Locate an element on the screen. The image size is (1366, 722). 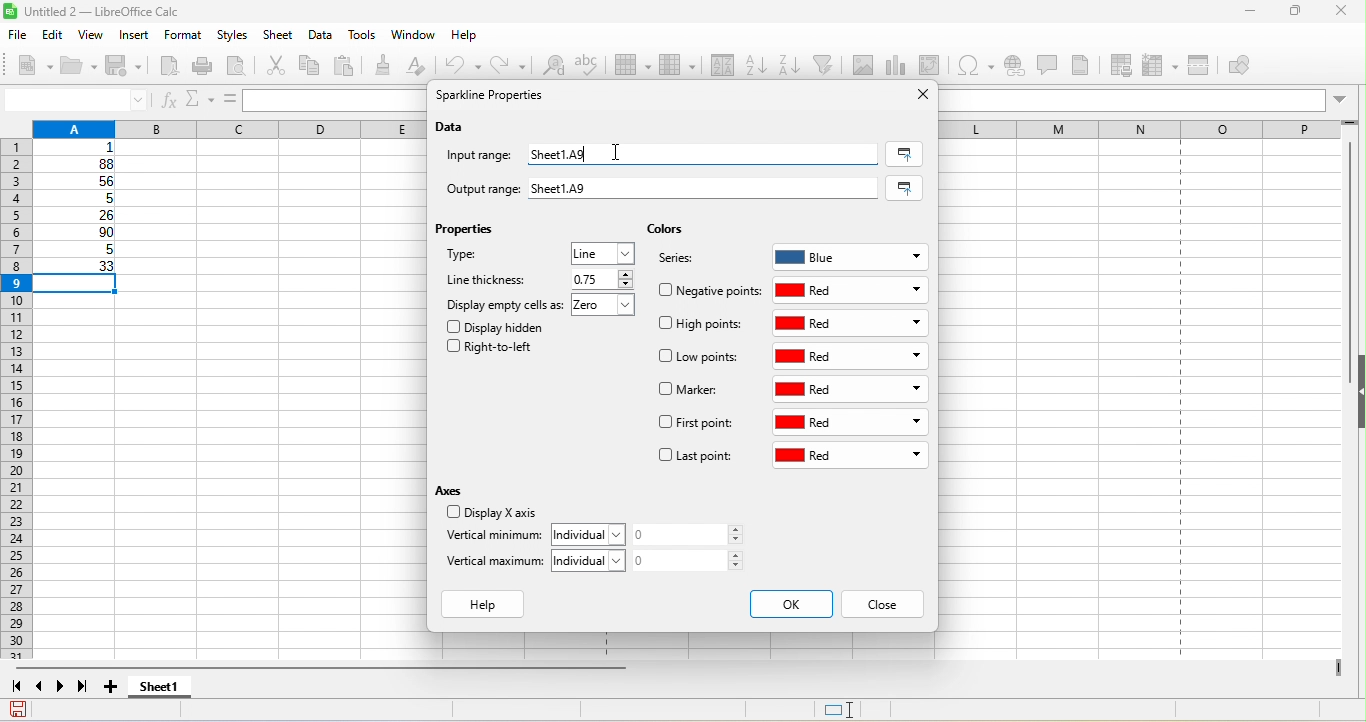
undo is located at coordinates (467, 65).